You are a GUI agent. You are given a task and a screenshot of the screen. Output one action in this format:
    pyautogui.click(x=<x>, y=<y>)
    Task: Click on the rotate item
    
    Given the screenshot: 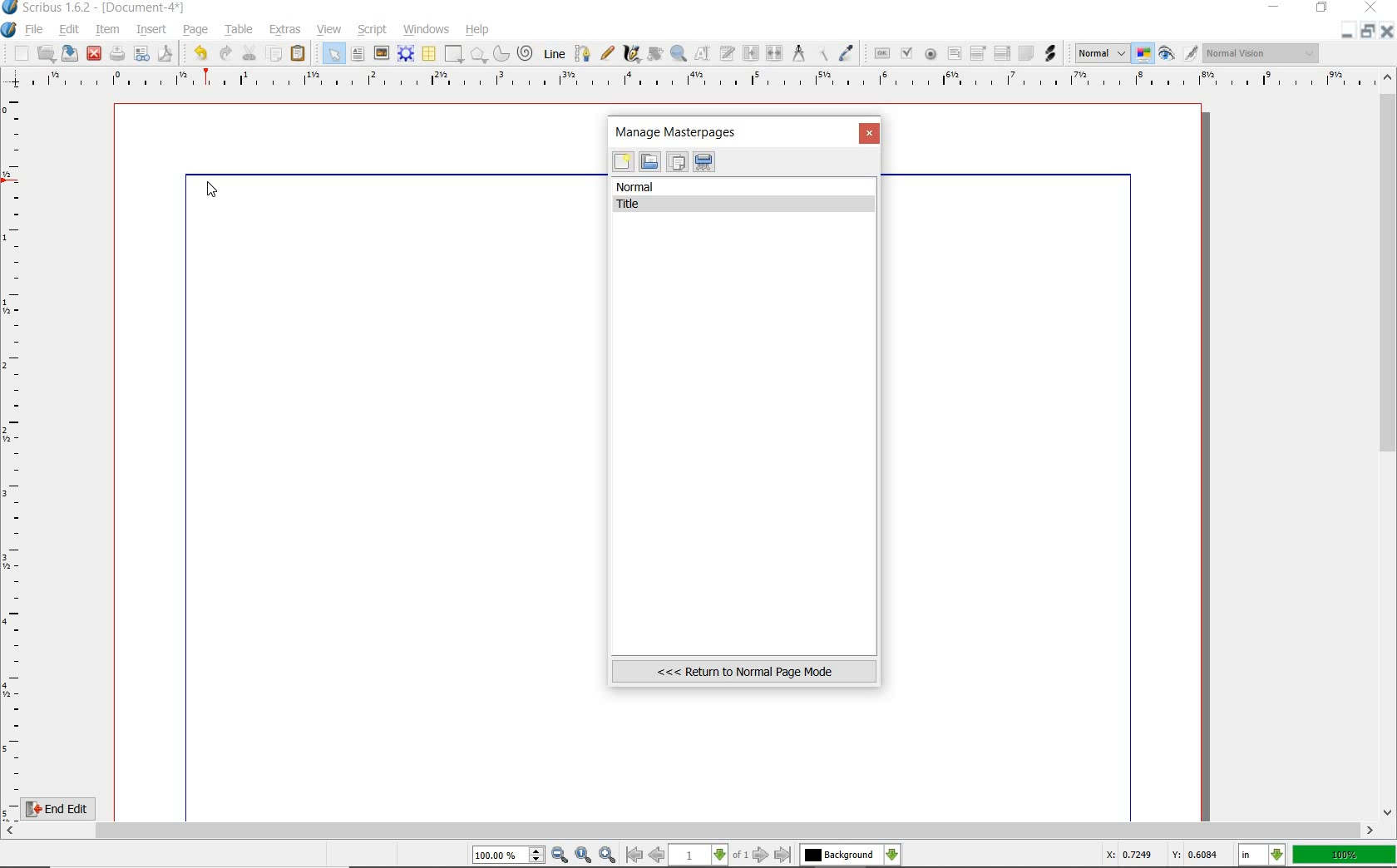 What is the action you would take?
    pyautogui.click(x=654, y=55)
    